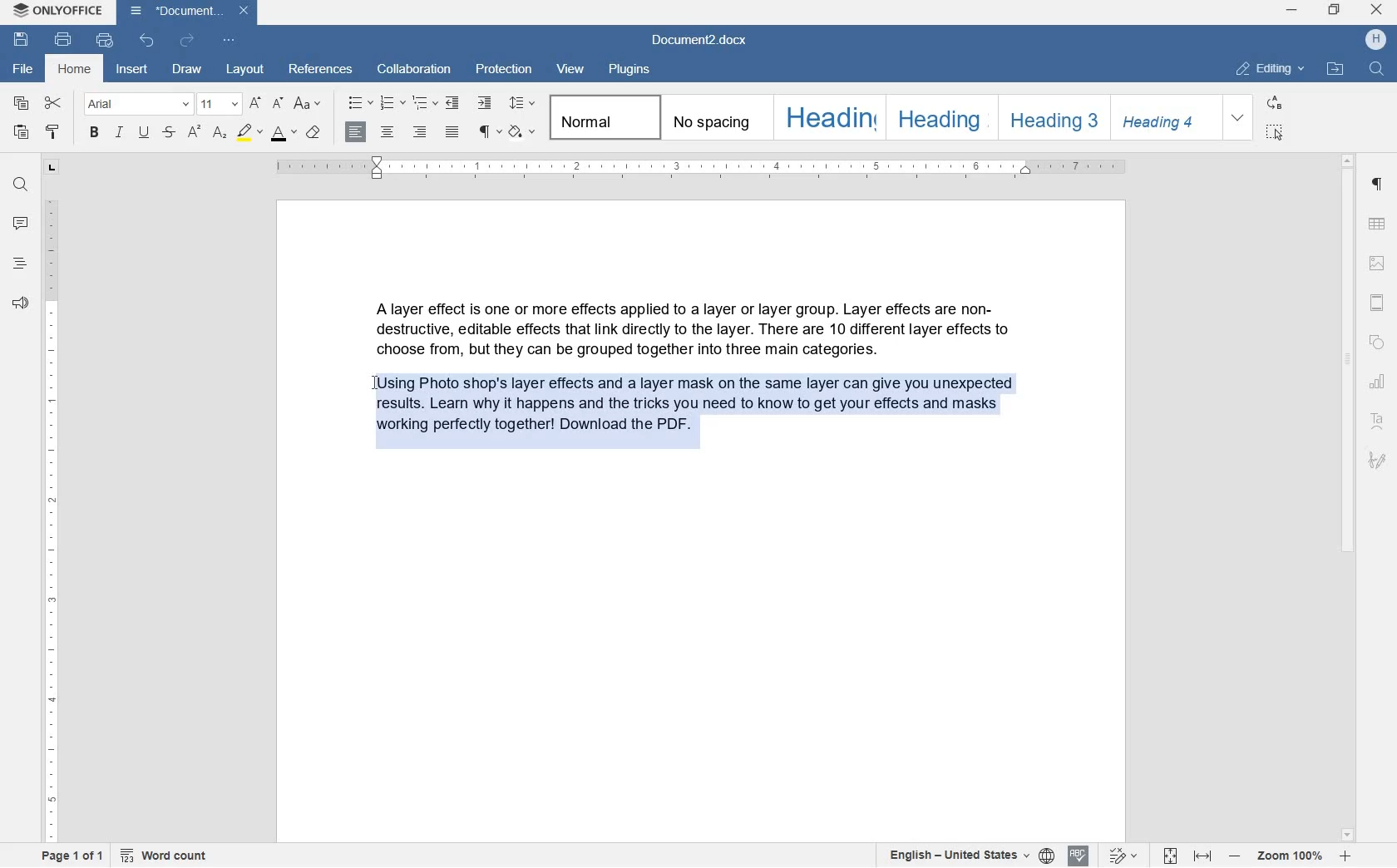  Describe the element at coordinates (524, 131) in the screenshot. I see `SHADING` at that location.